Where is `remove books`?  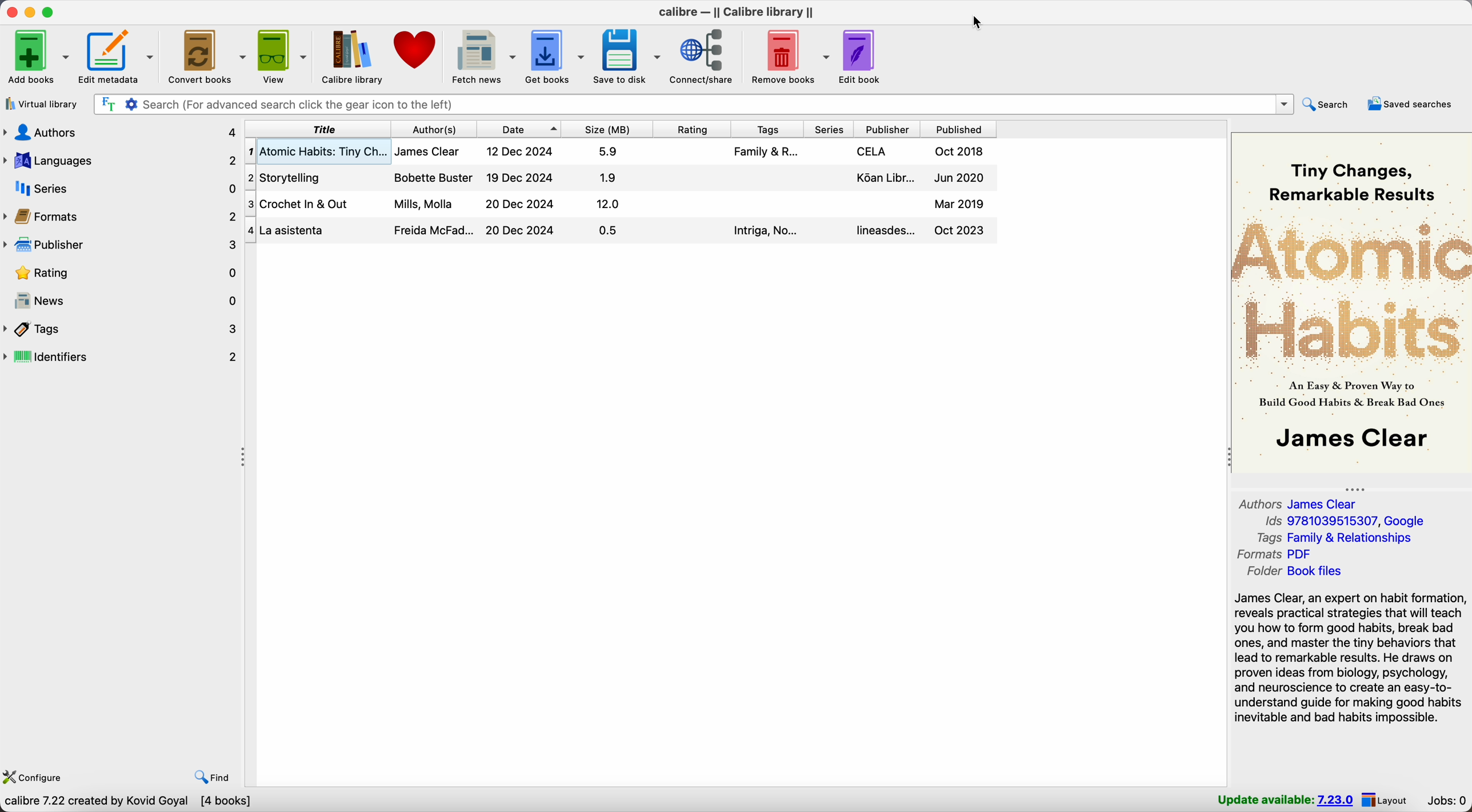 remove books is located at coordinates (790, 57).